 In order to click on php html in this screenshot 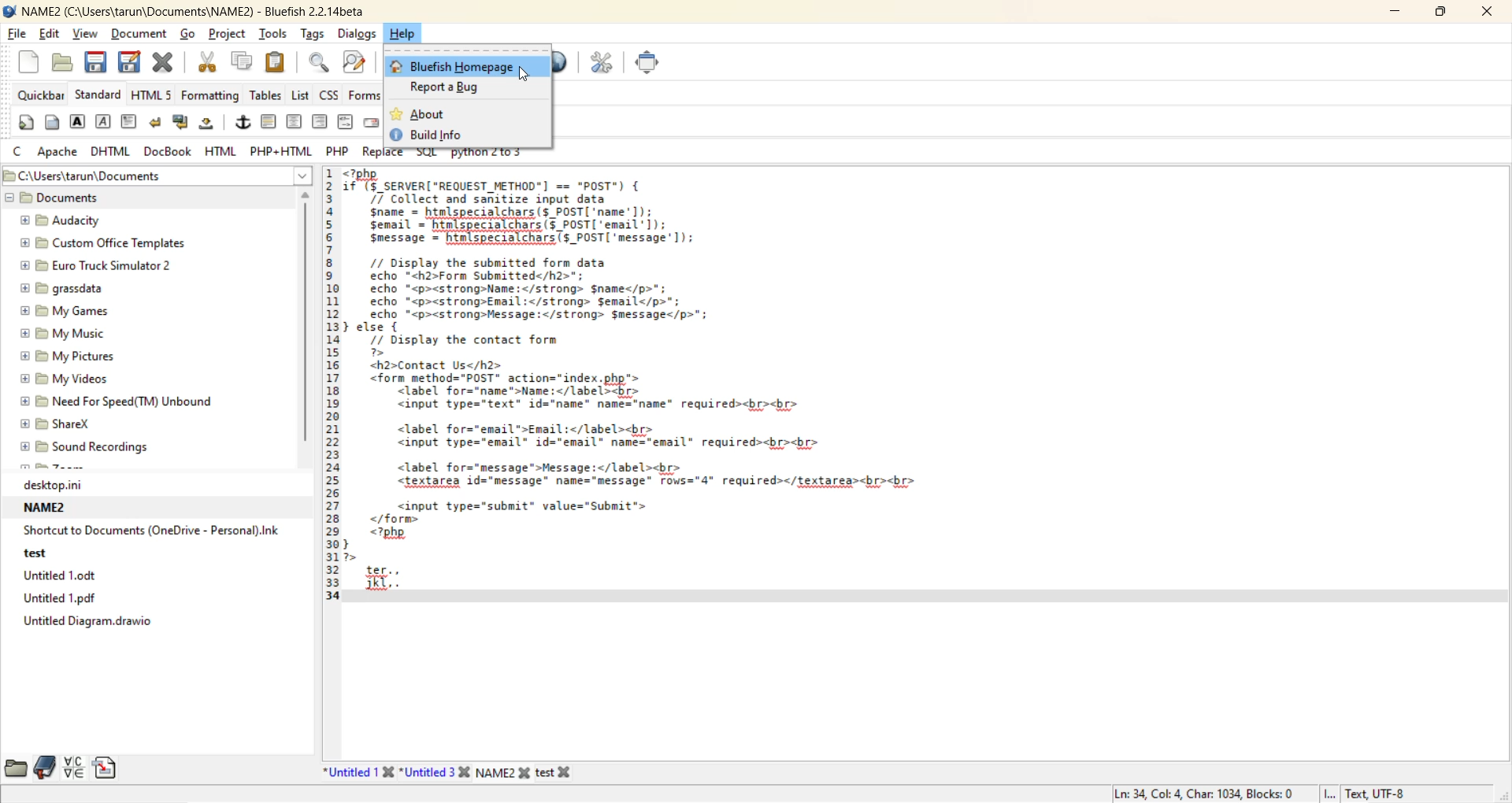, I will do `click(281, 149)`.